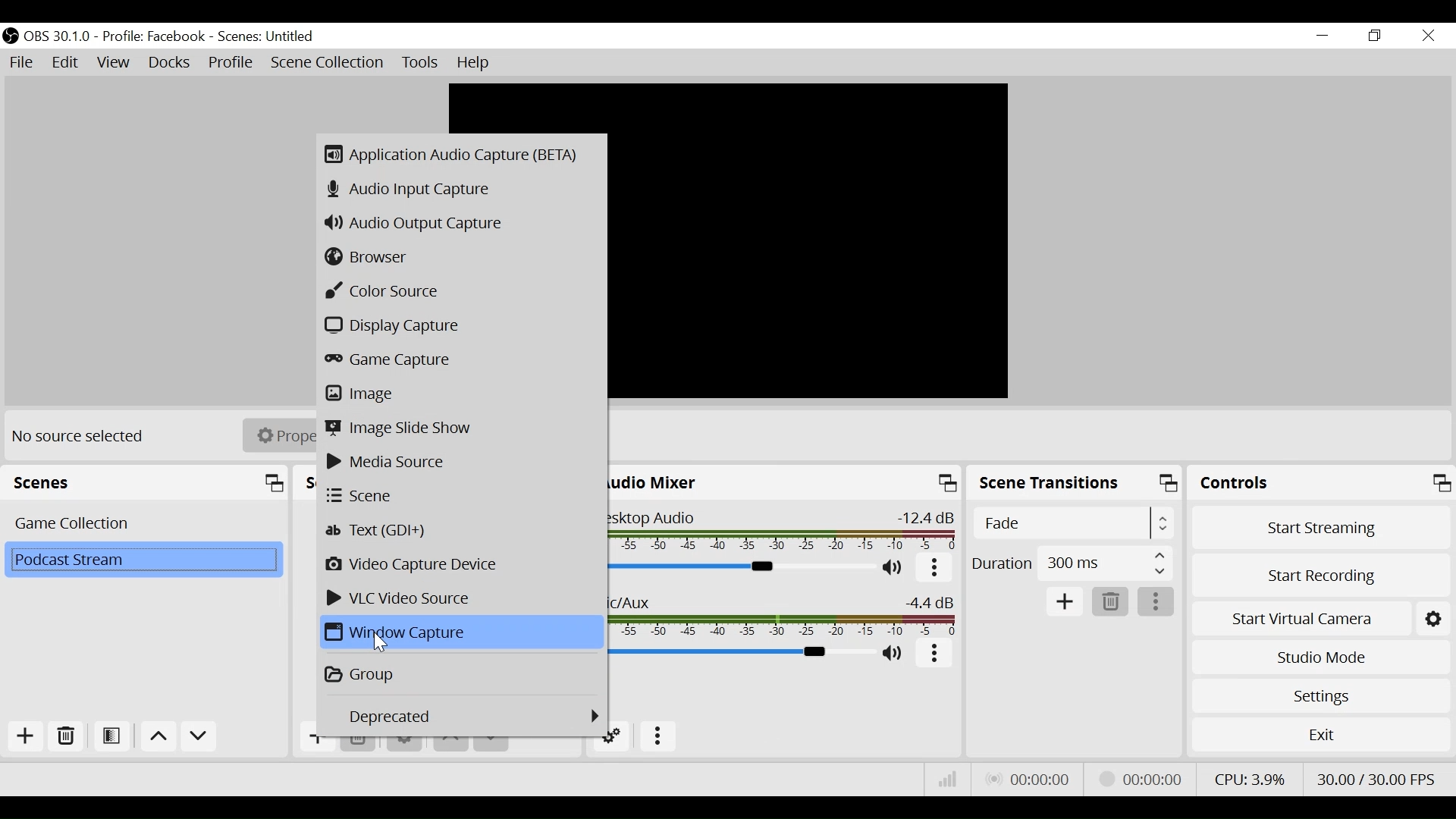 This screenshot has height=819, width=1456. What do you see at coordinates (462, 428) in the screenshot?
I see `Image Slide-Show` at bounding box center [462, 428].